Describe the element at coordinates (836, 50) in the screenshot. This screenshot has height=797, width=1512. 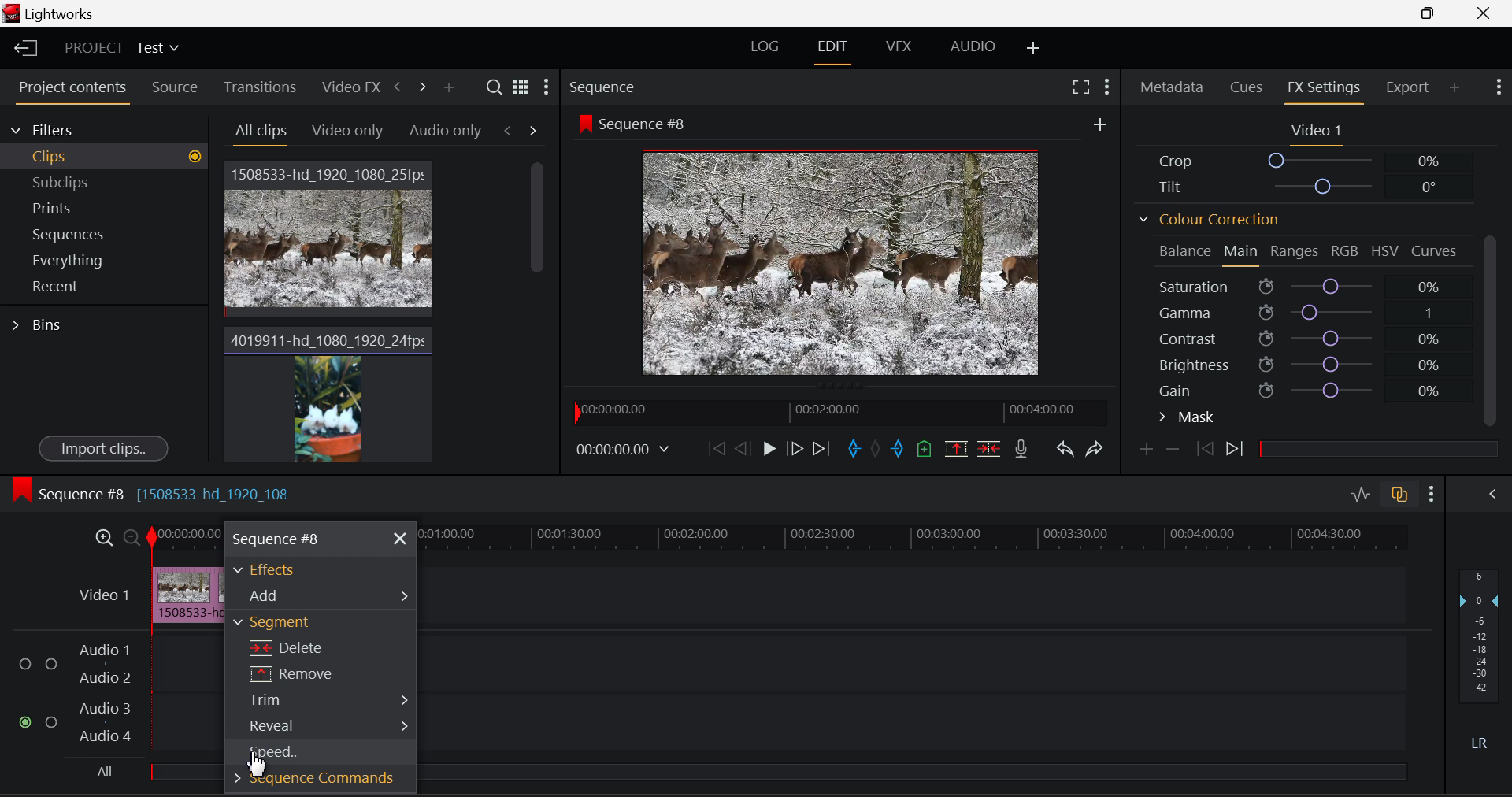
I see `EDIT` at that location.